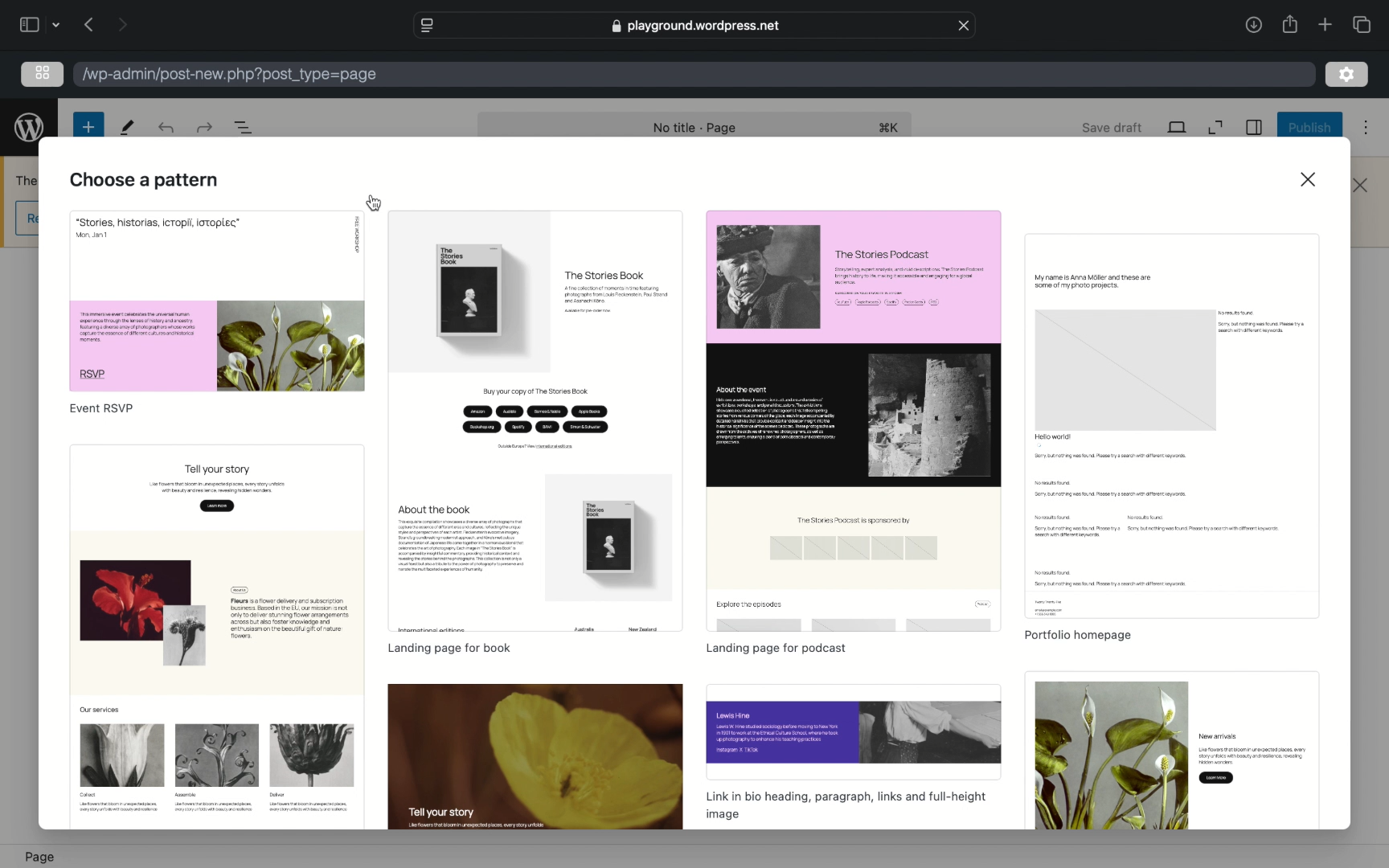 Image resolution: width=1389 pixels, height=868 pixels. I want to click on website settings, so click(427, 26).